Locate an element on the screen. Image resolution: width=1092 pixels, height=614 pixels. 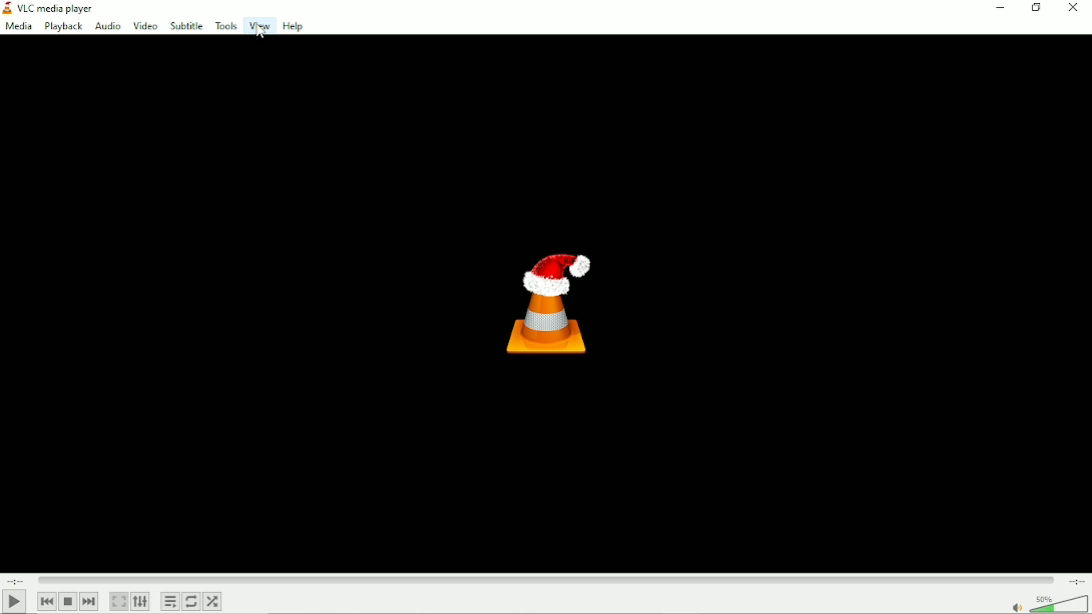
Random is located at coordinates (213, 601).